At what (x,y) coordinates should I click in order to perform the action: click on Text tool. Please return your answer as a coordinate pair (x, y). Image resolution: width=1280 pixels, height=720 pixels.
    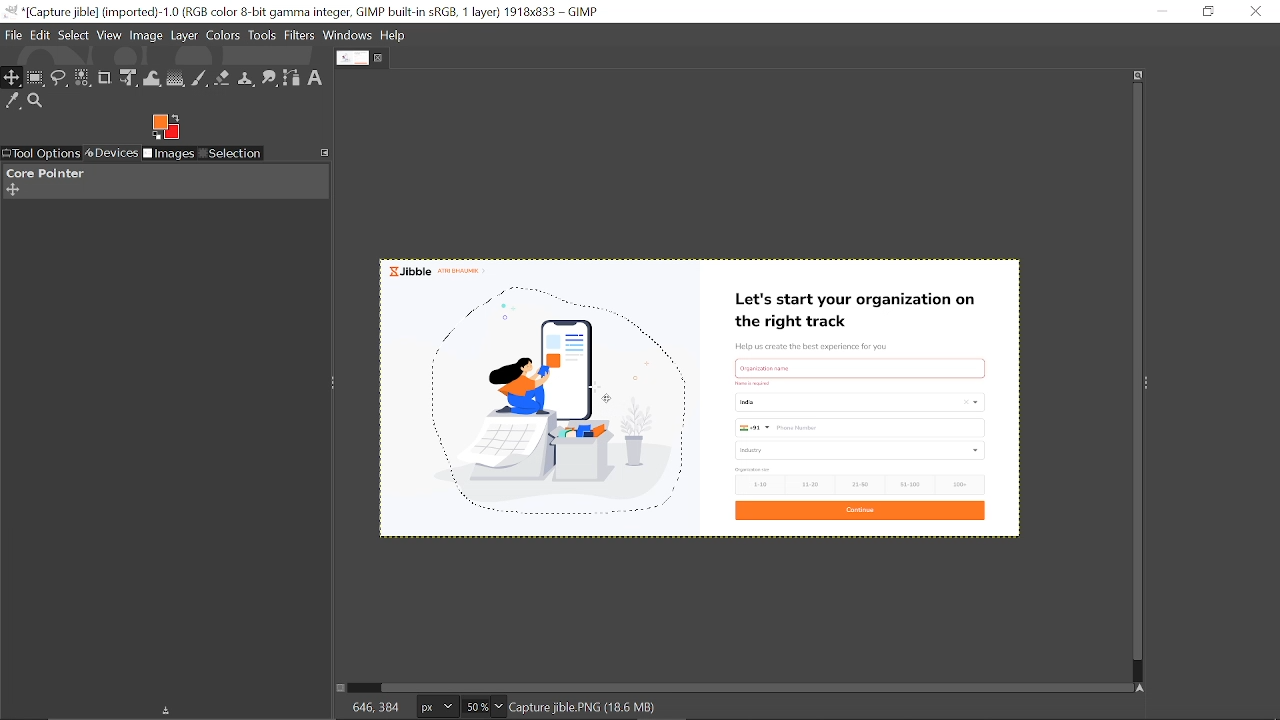
    Looking at the image, I should click on (315, 78).